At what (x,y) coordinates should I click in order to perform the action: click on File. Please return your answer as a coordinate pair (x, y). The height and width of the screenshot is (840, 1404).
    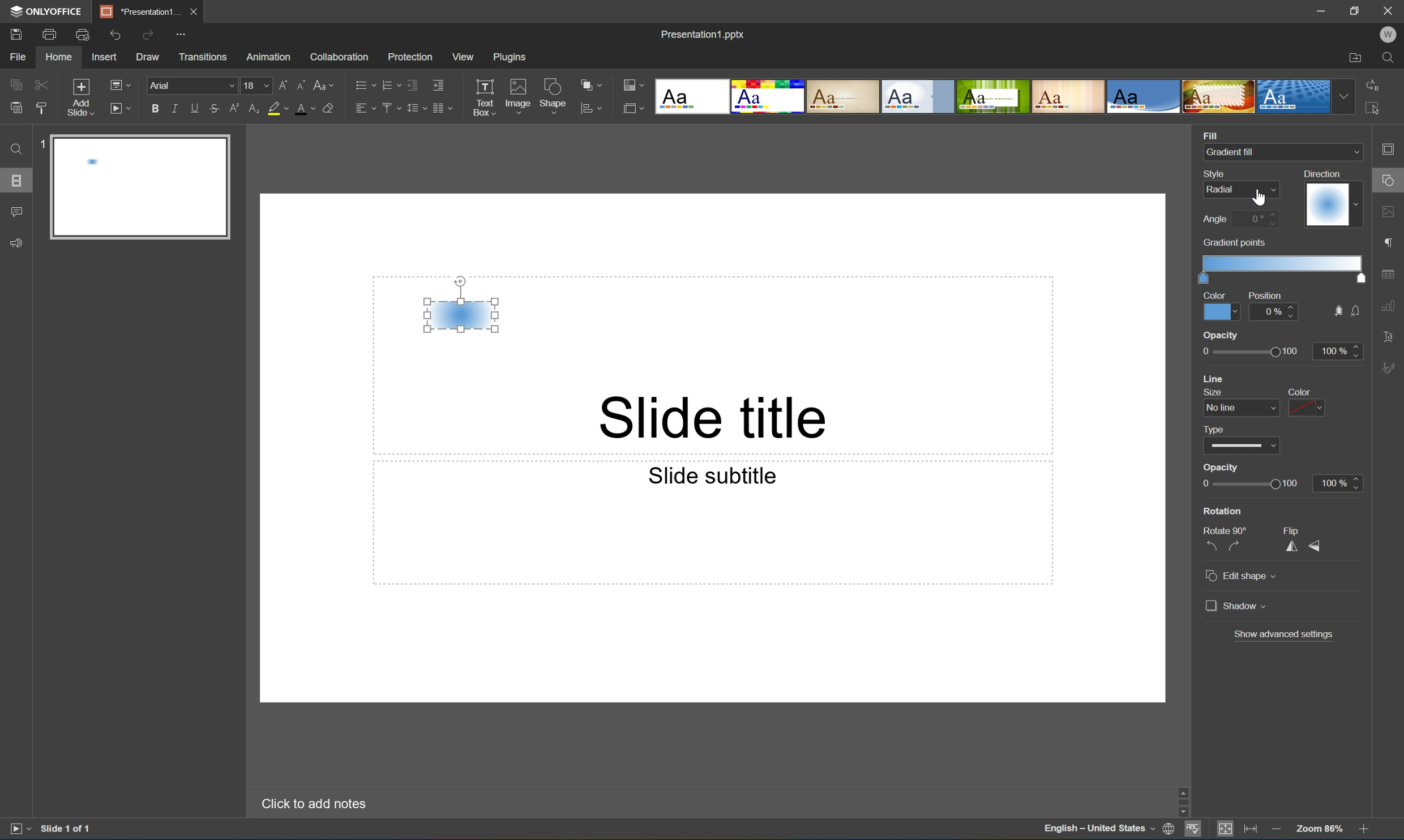
    Looking at the image, I should click on (18, 57).